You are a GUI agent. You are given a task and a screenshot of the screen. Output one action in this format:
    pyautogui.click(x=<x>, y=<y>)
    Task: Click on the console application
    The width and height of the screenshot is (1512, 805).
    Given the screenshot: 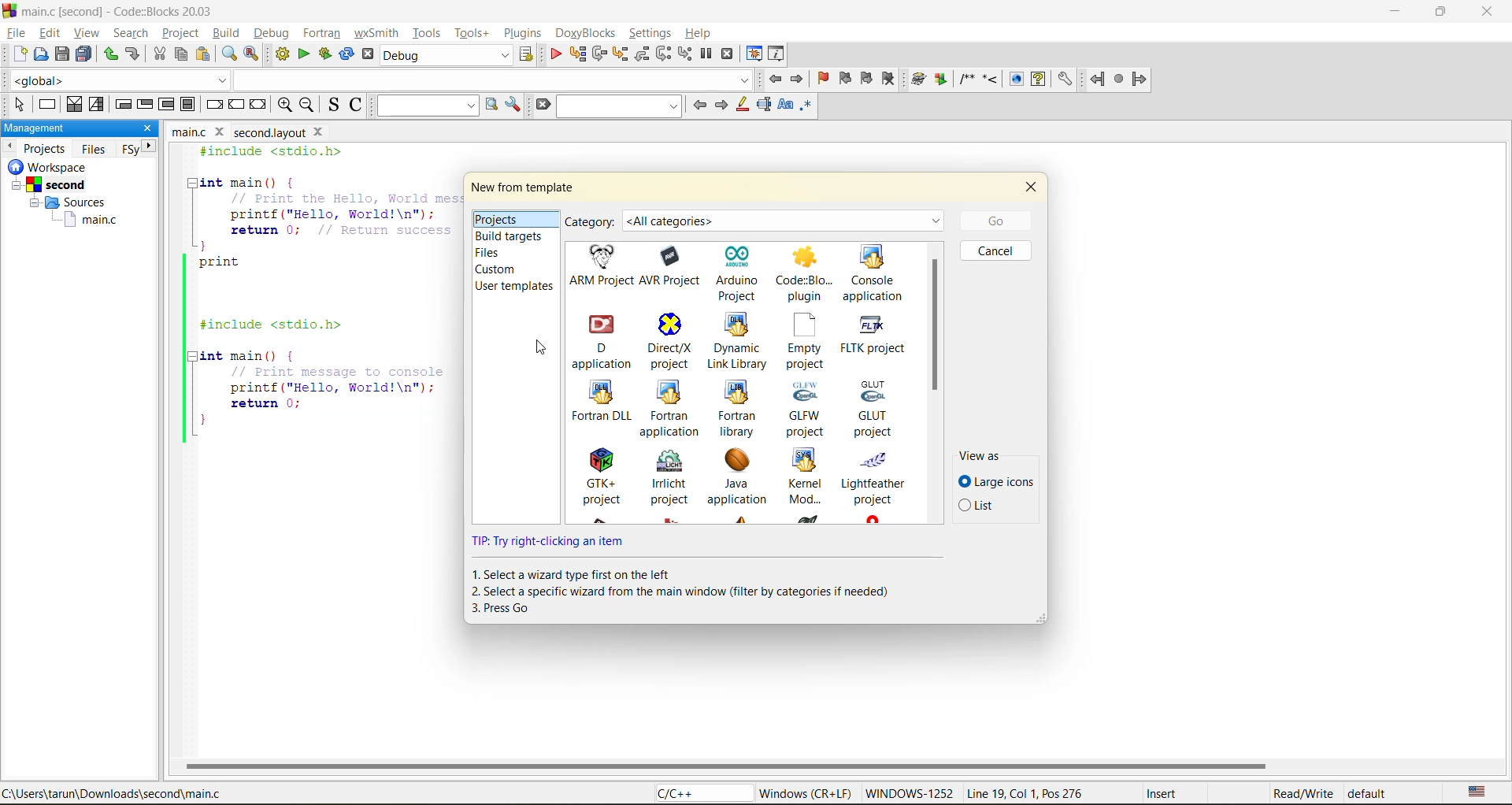 What is the action you would take?
    pyautogui.click(x=874, y=273)
    